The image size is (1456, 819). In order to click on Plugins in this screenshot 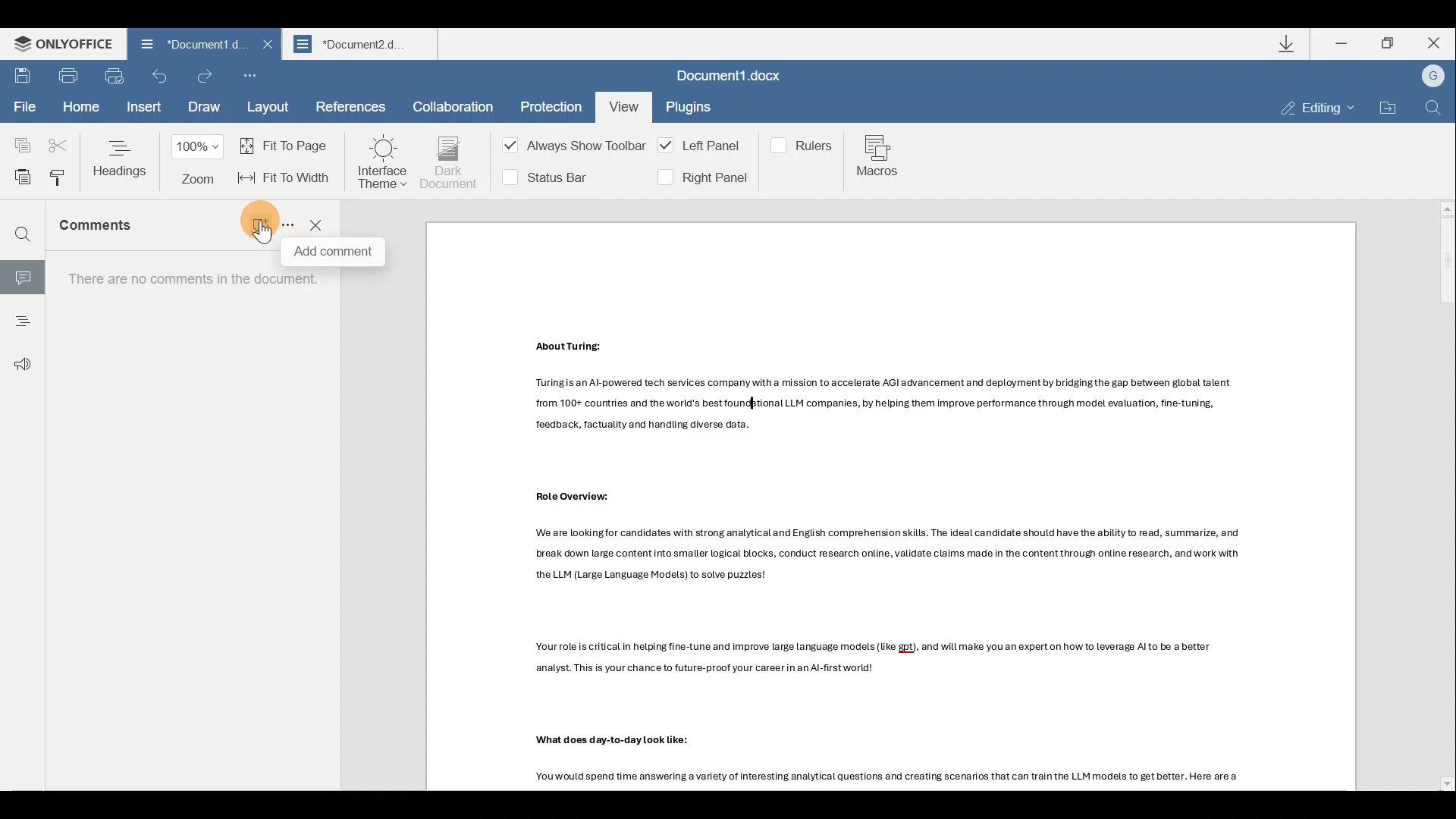, I will do `click(690, 109)`.